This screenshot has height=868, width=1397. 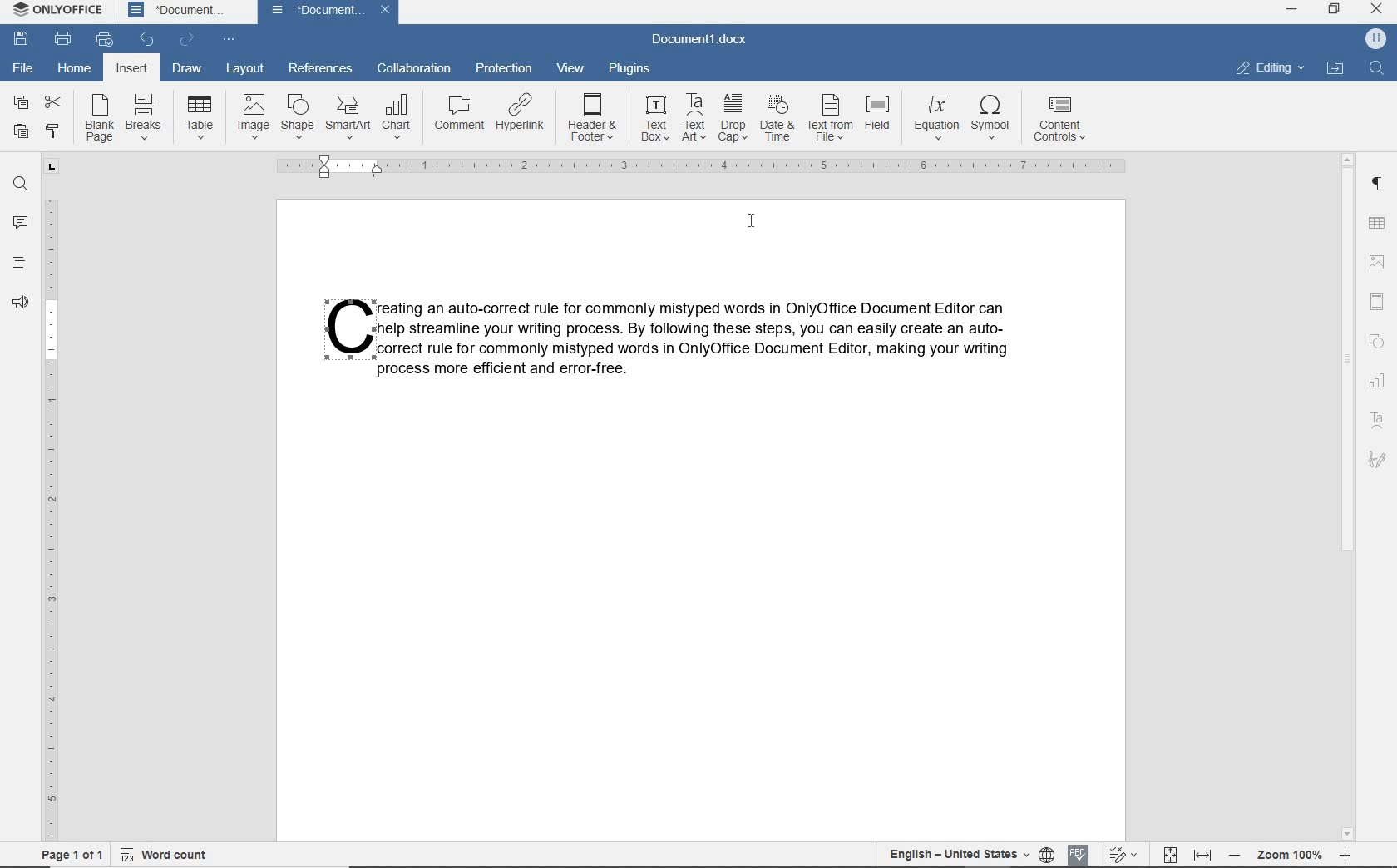 What do you see at coordinates (1291, 10) in the screenshot?
I see `minimize` at bounding box center [1291, 10].